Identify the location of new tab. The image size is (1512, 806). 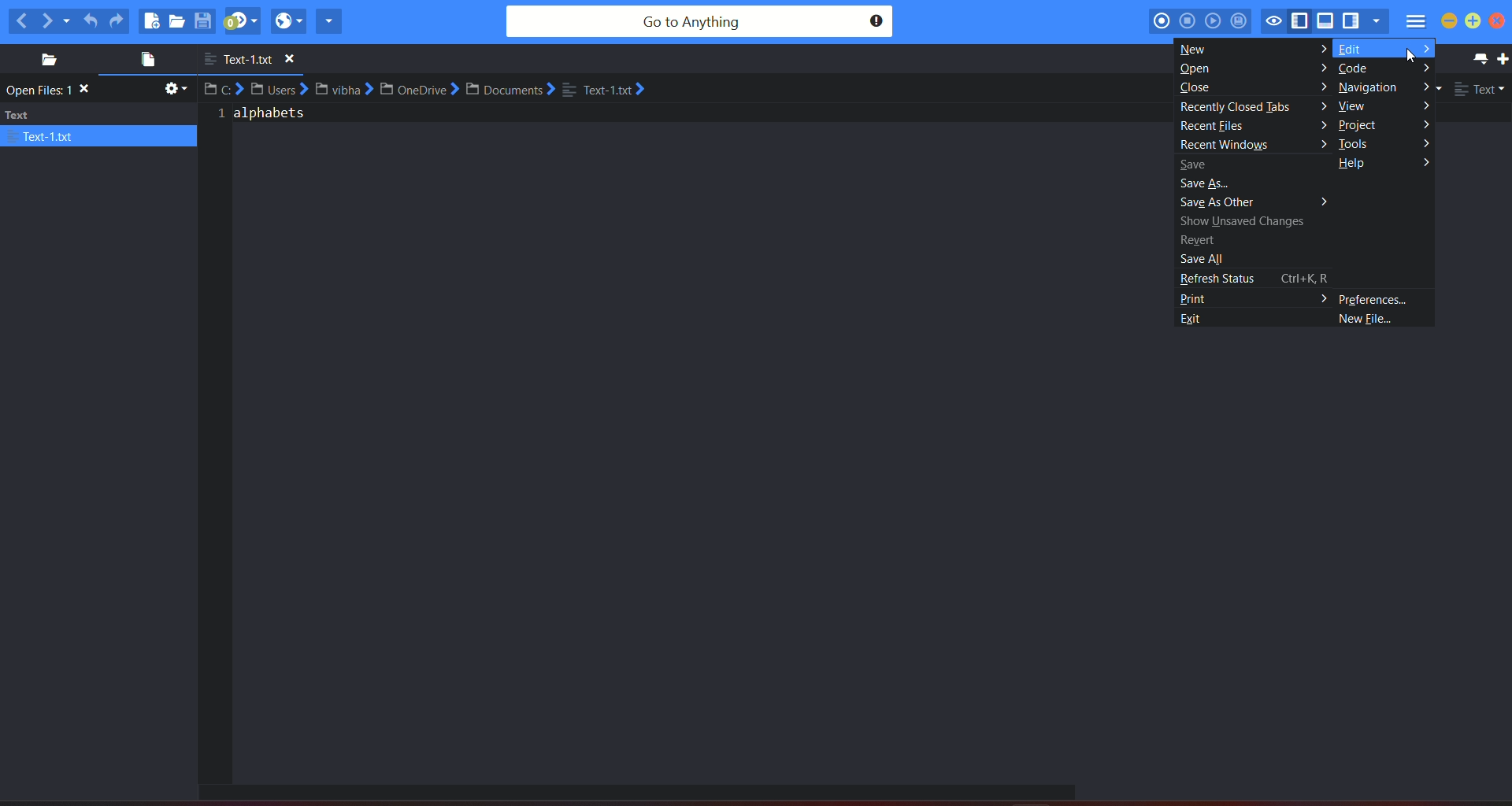
(1503, 59).